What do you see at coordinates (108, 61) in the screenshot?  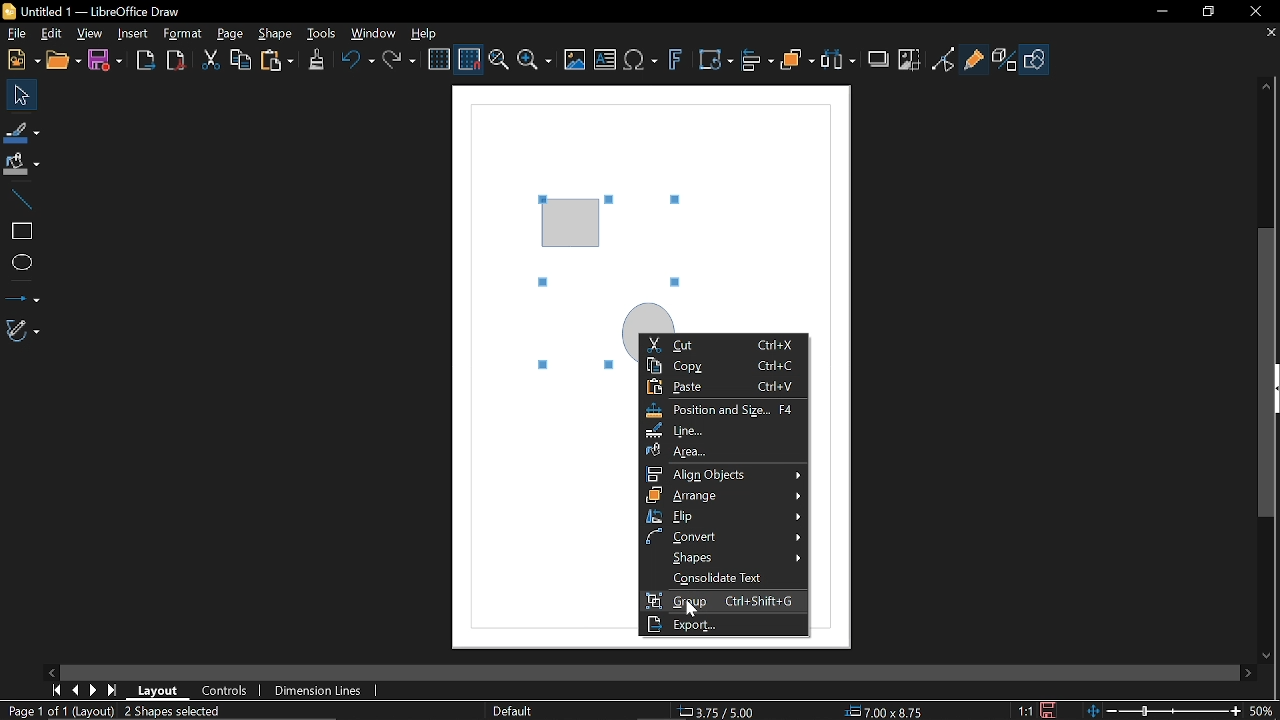 I see `Save` at bounding box center [108, 61].